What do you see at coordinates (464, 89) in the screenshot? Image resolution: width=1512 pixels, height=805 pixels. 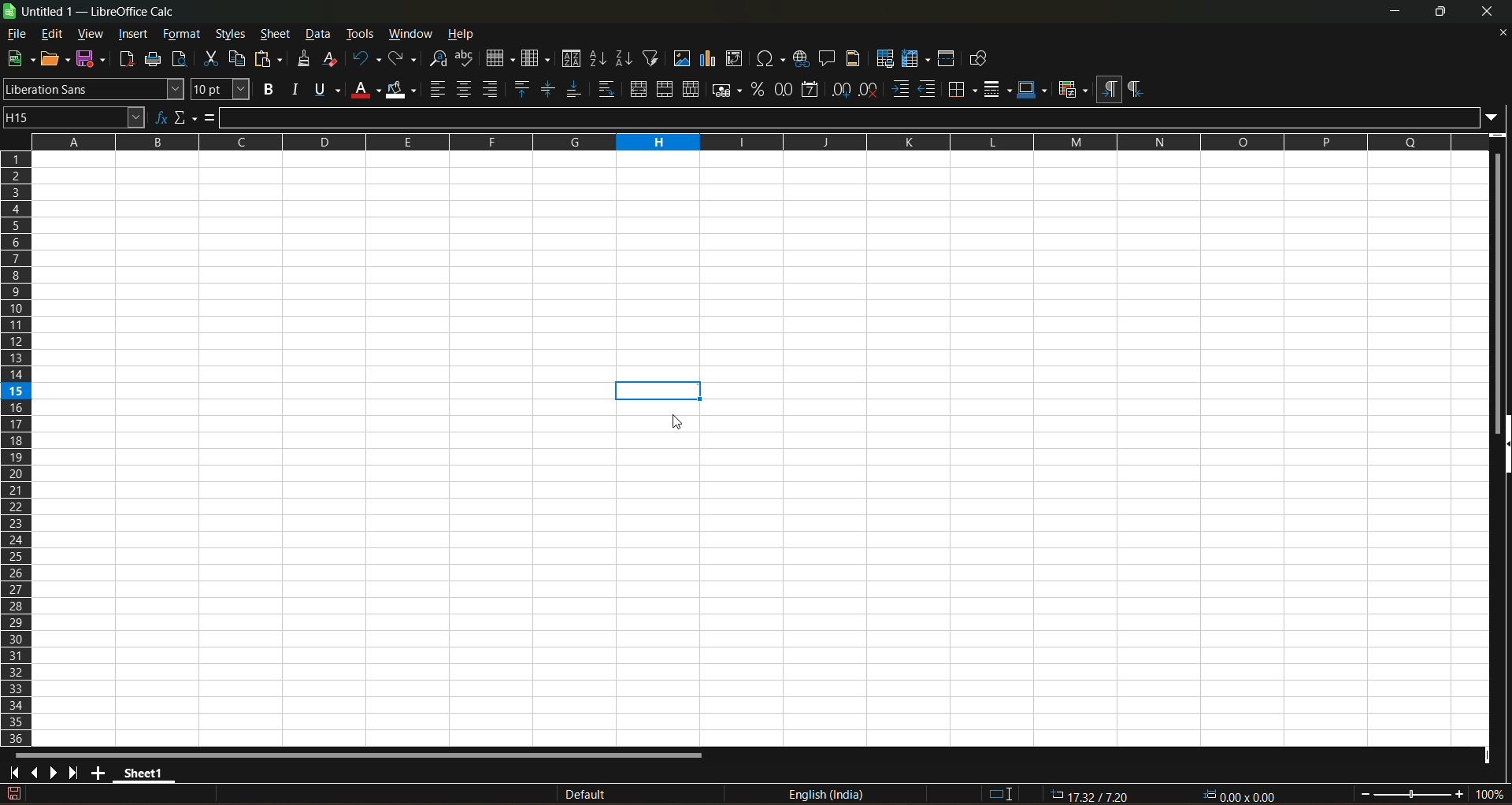 I see `align center` at bounding box center [464, 89].